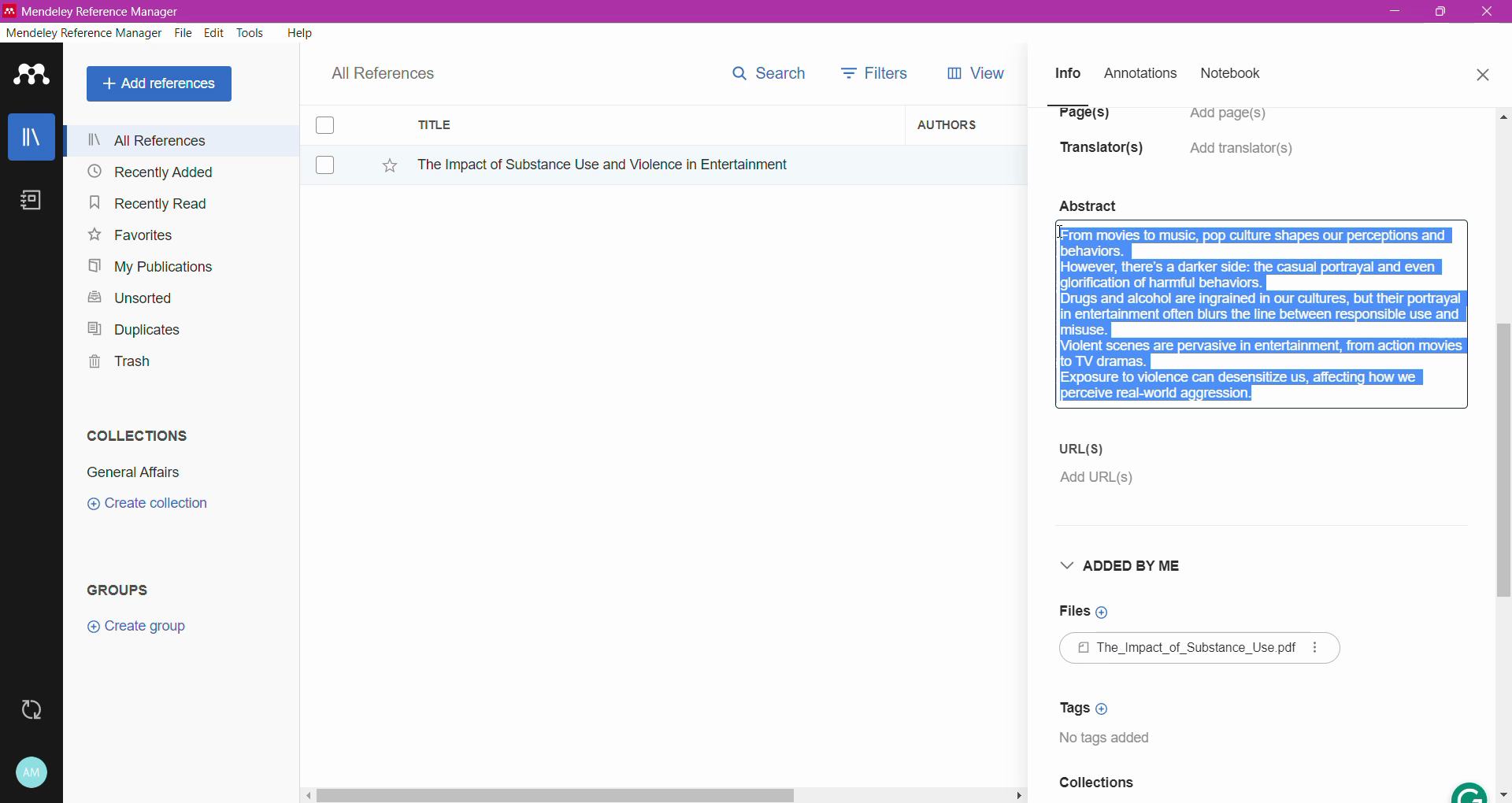 The width and height of the screenshot is (1512, 803). Describe the element at coordinates (162, 83) in the screenshot. I see `Add References` at that location.